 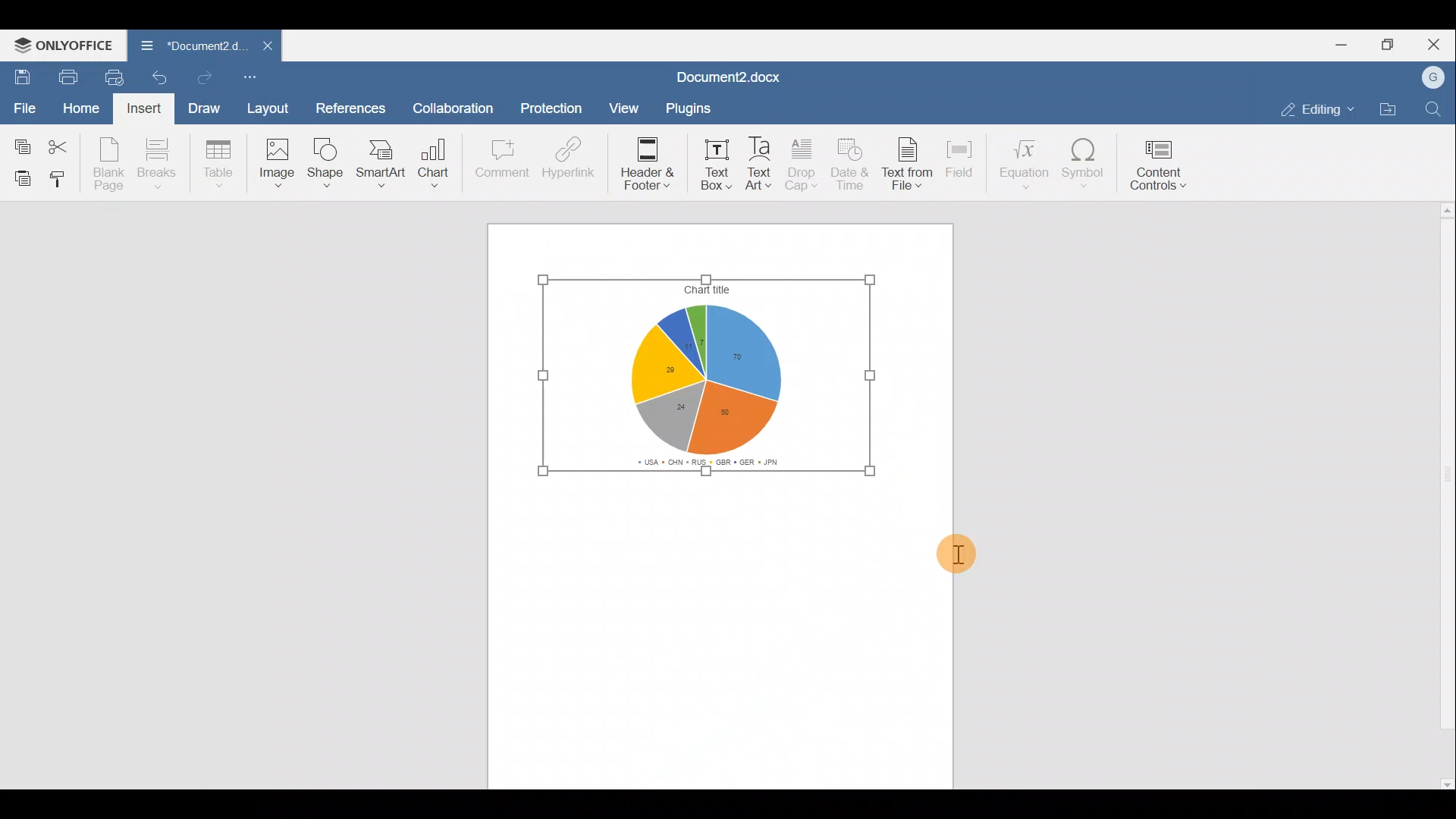 What do you see at coordinates (19, 177) in the screenshot?
I see `Paste` at bounding box center [19, 177].